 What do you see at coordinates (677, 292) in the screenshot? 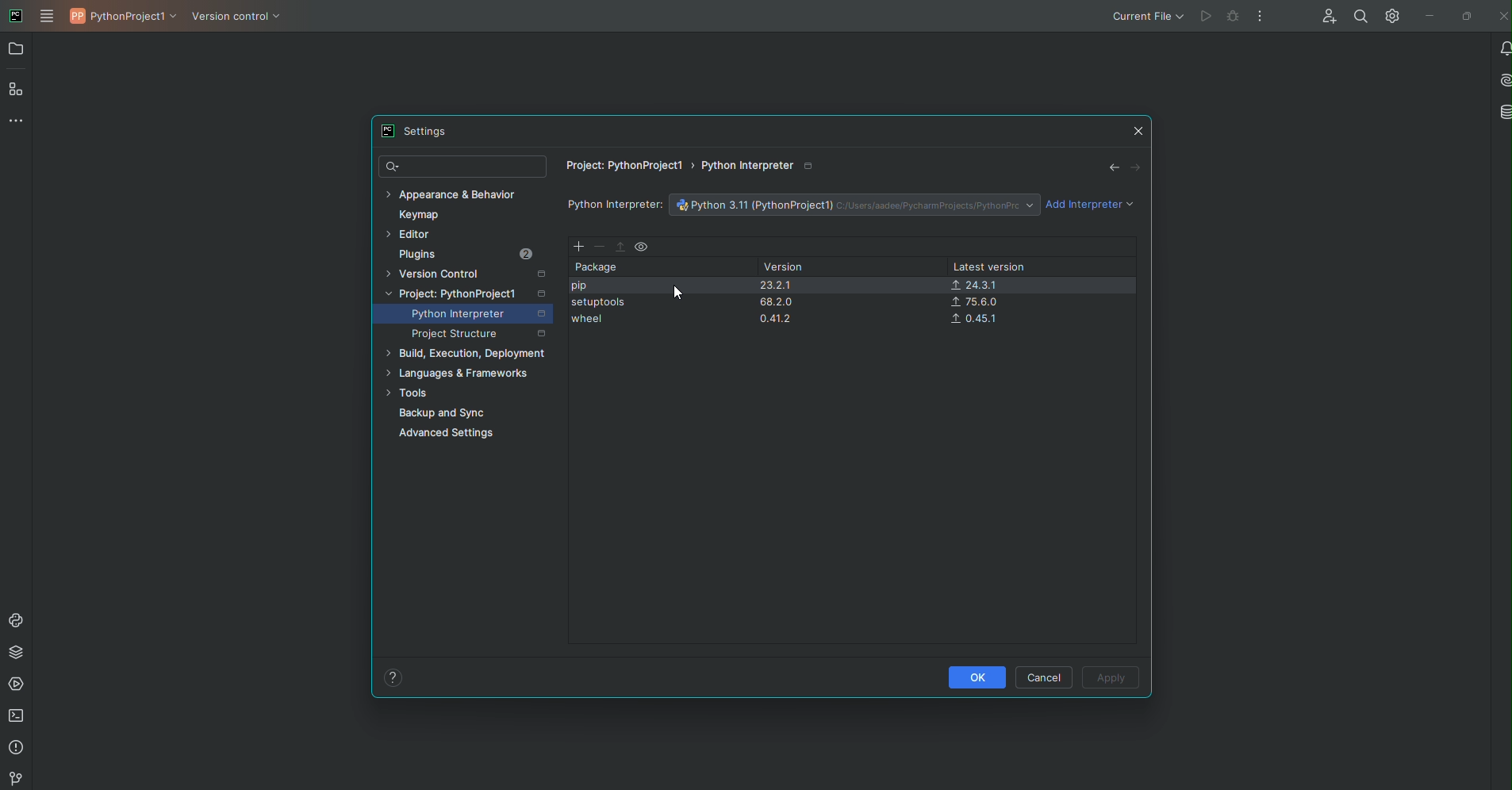
I see `Cursor` at bounding box center [677, 292].